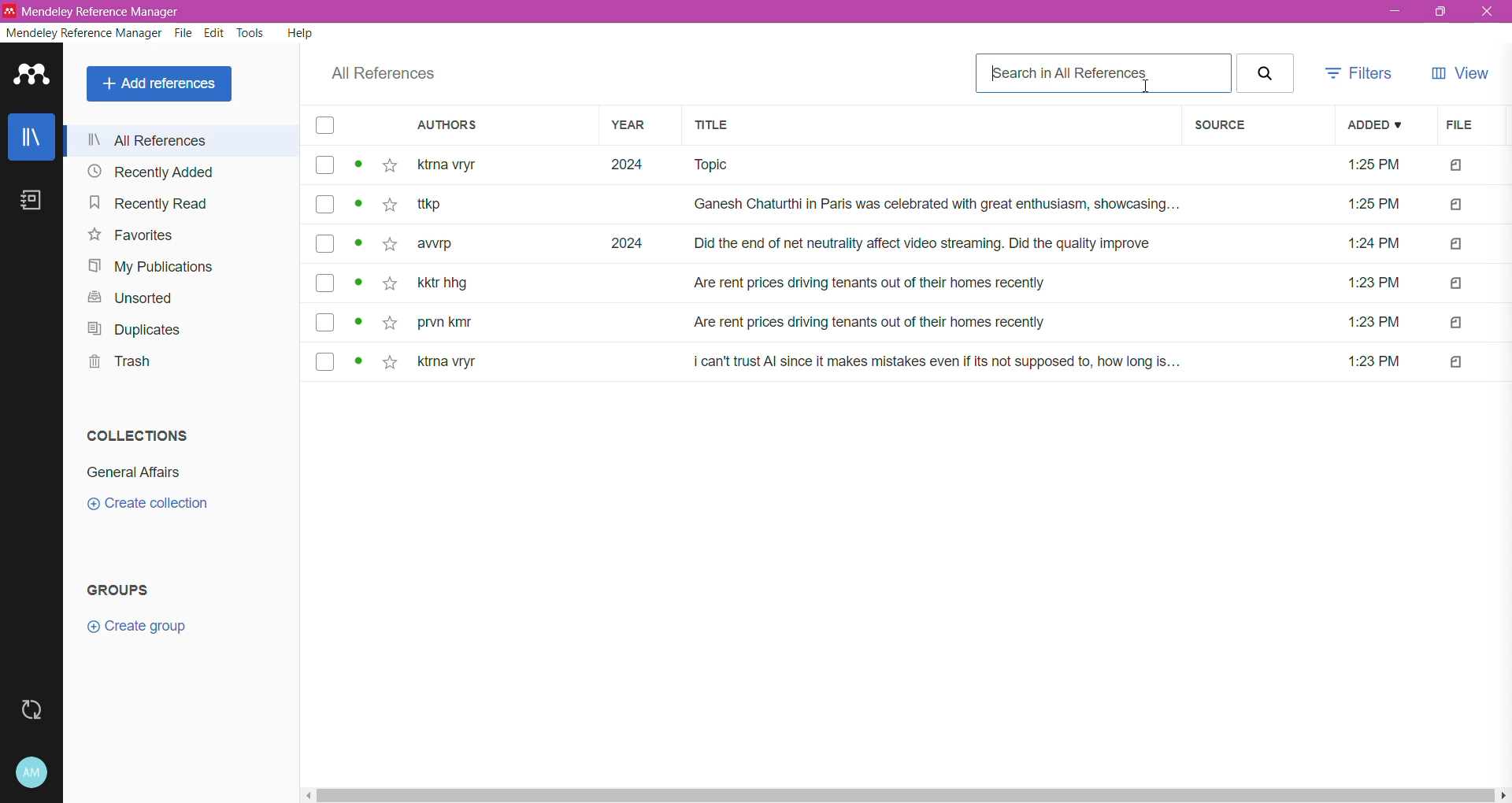 Image resolution: width=1512 pixels, height=803 pixels. I want to click on file type, so click(1456, 284).